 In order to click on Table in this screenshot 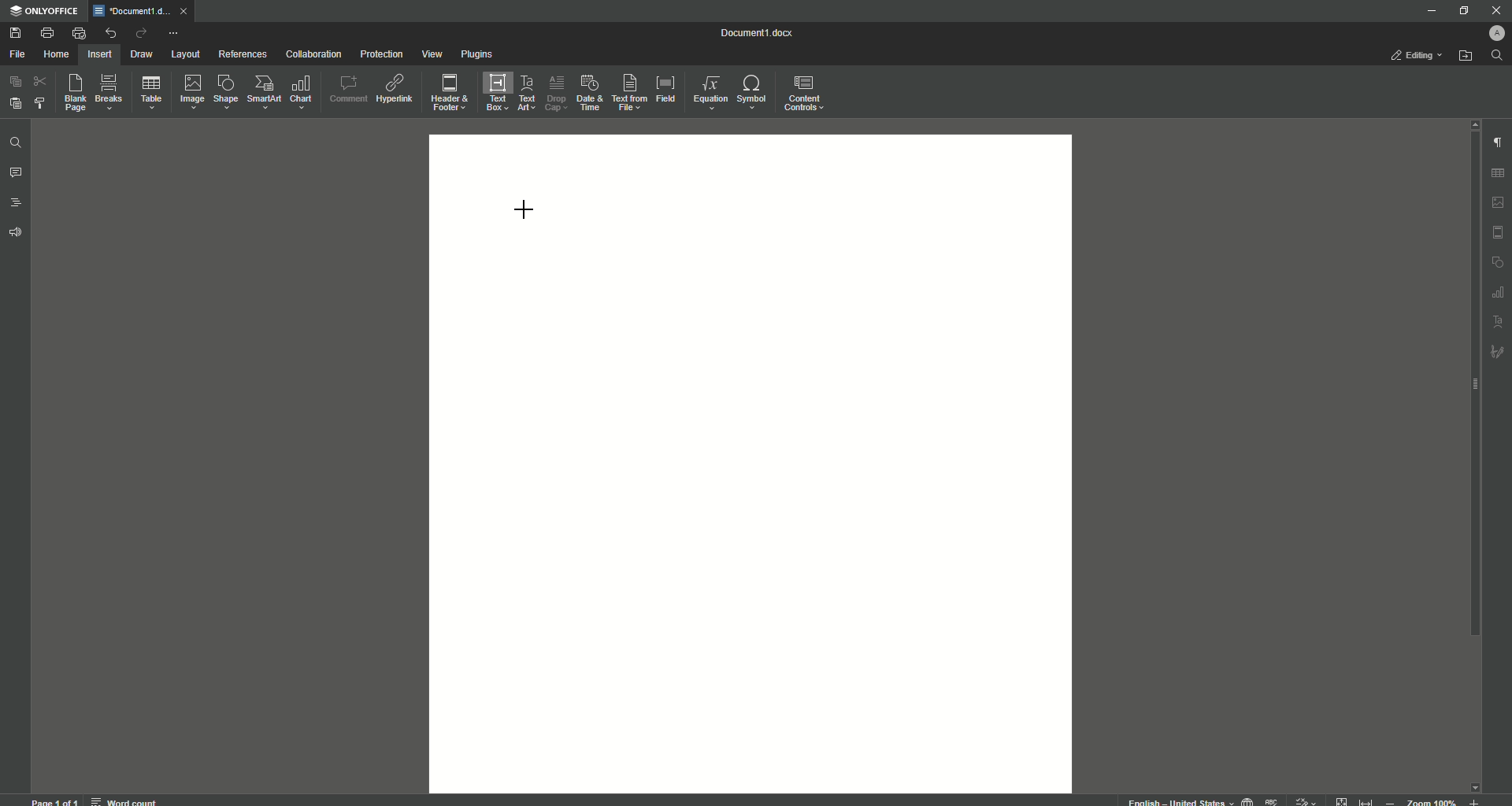, I will do `click(151, 95)`.